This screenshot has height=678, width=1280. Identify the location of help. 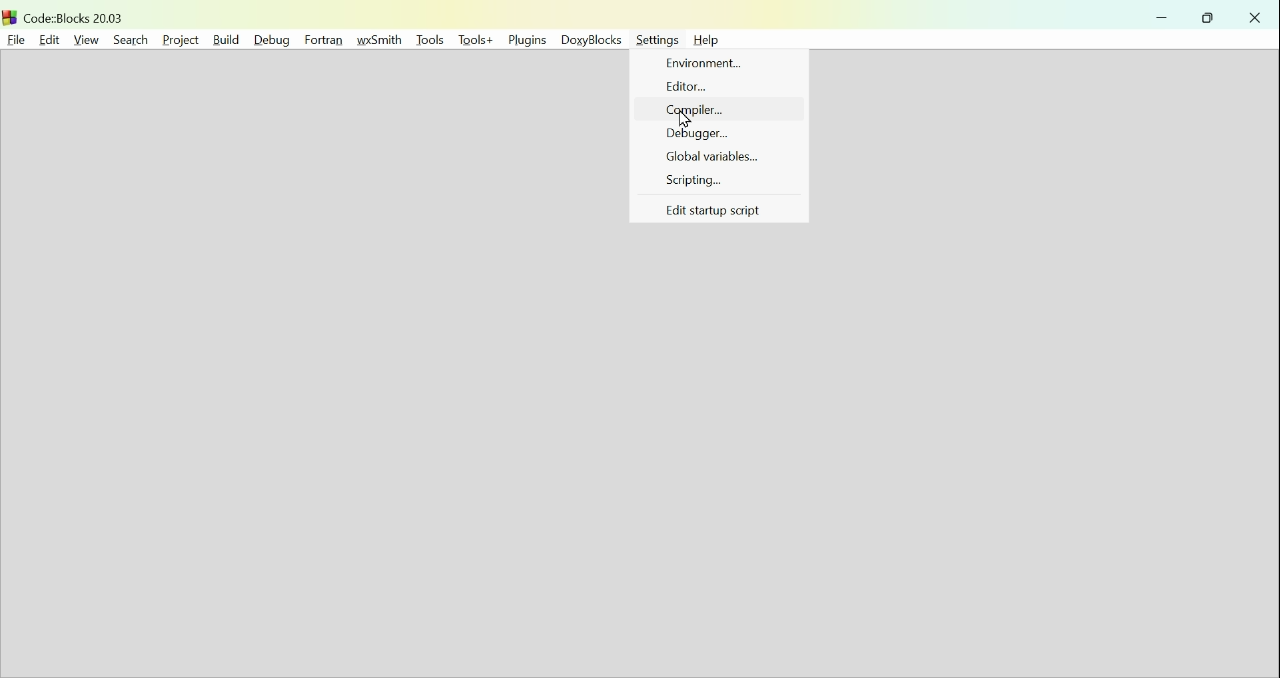
(713, 41).